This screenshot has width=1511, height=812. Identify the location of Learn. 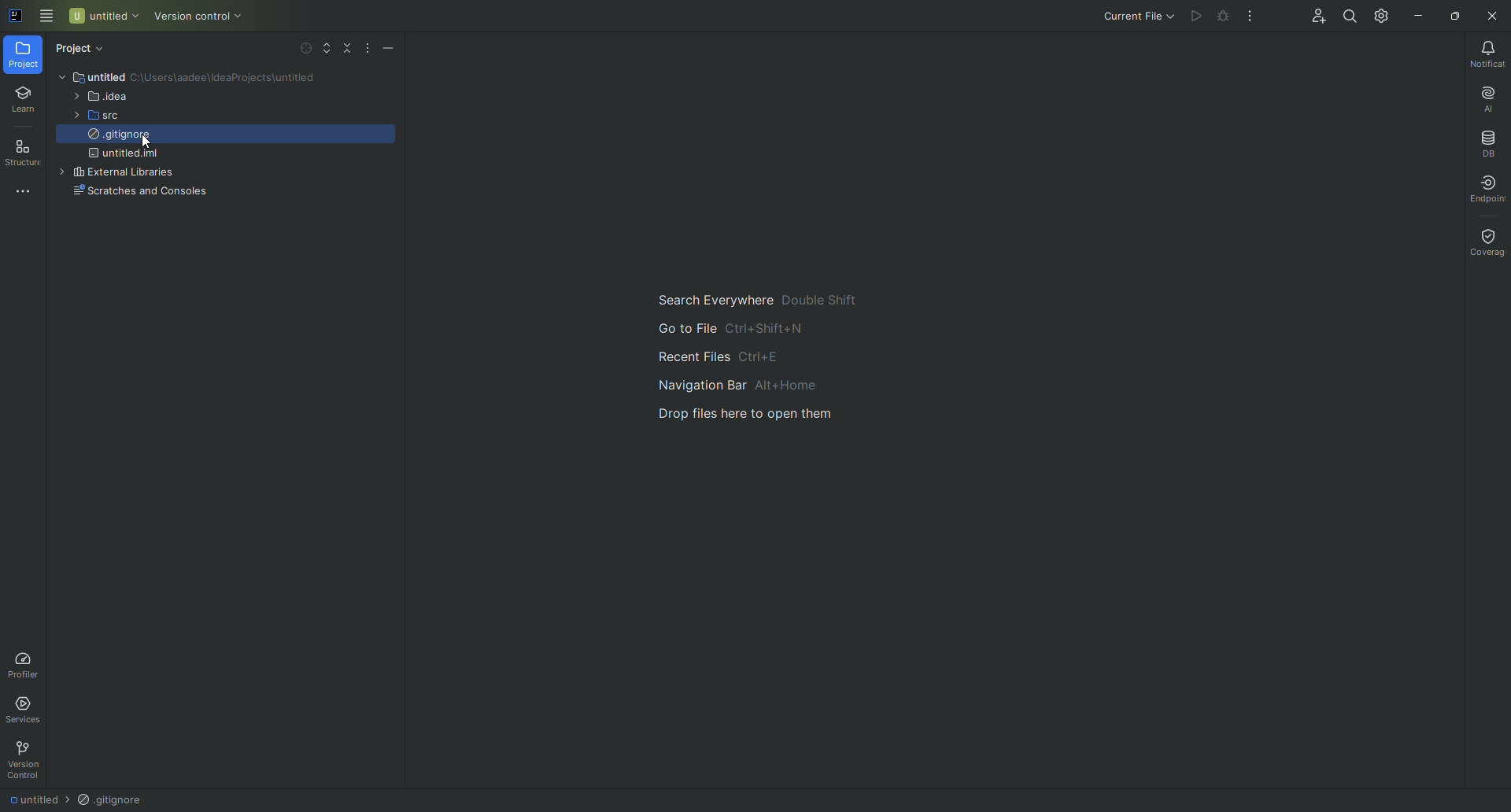
(24, 100).